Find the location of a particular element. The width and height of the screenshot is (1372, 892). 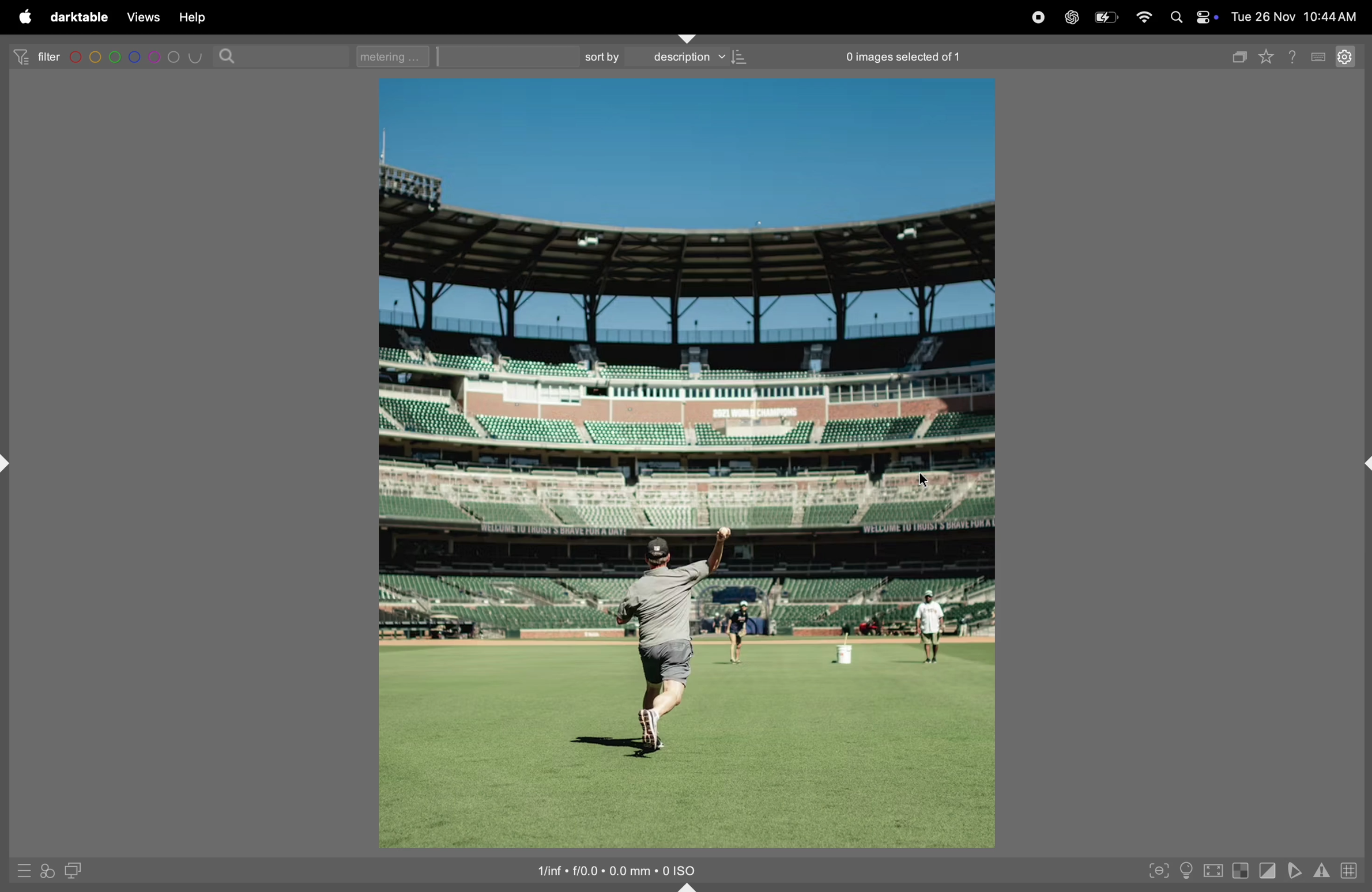

shift+ctrl+r is located at coordinates (1363, 463).